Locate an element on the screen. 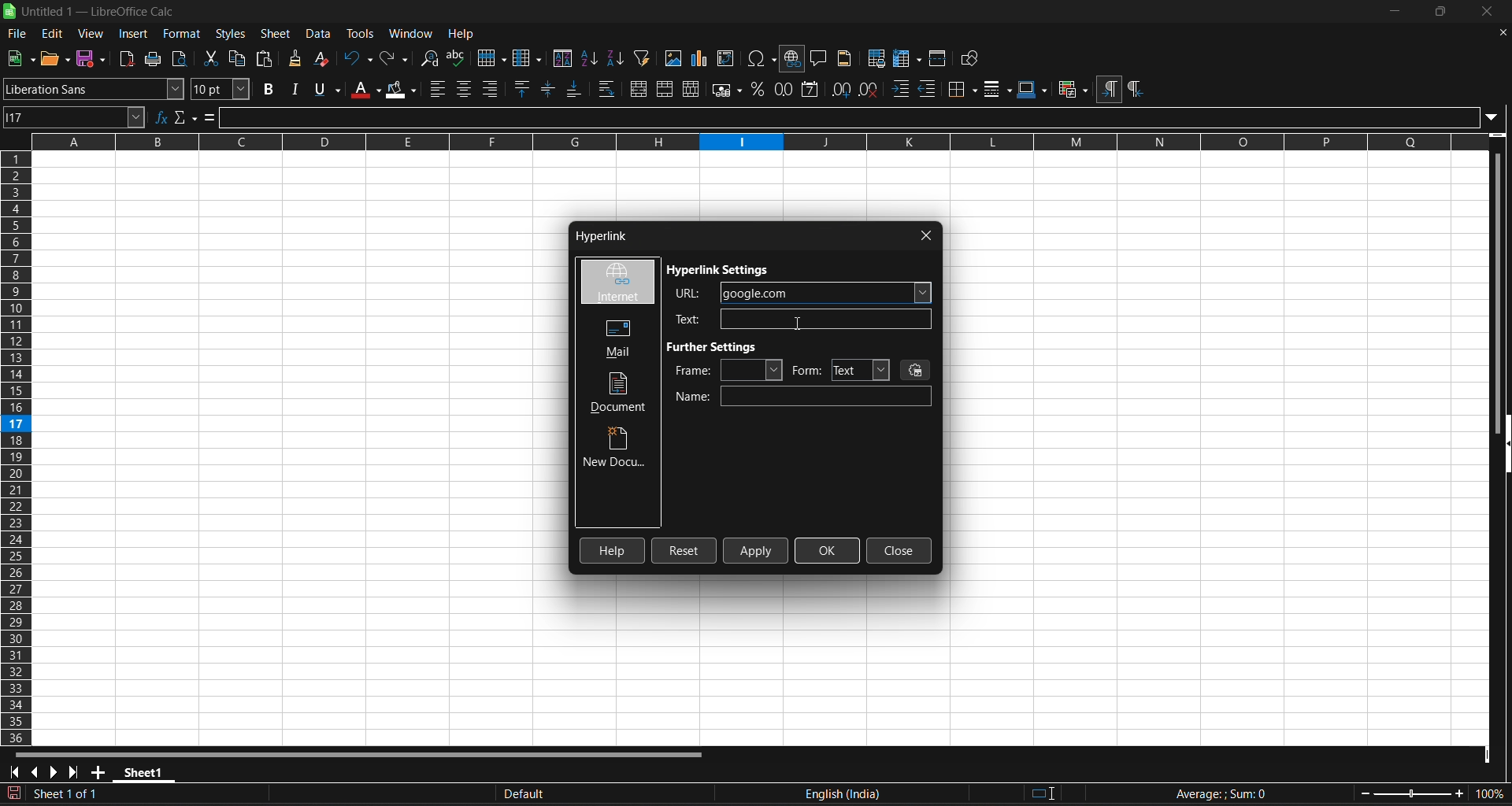 This screenshot has height=806, width=1512. align bottom is located at coordinates (574, 89).